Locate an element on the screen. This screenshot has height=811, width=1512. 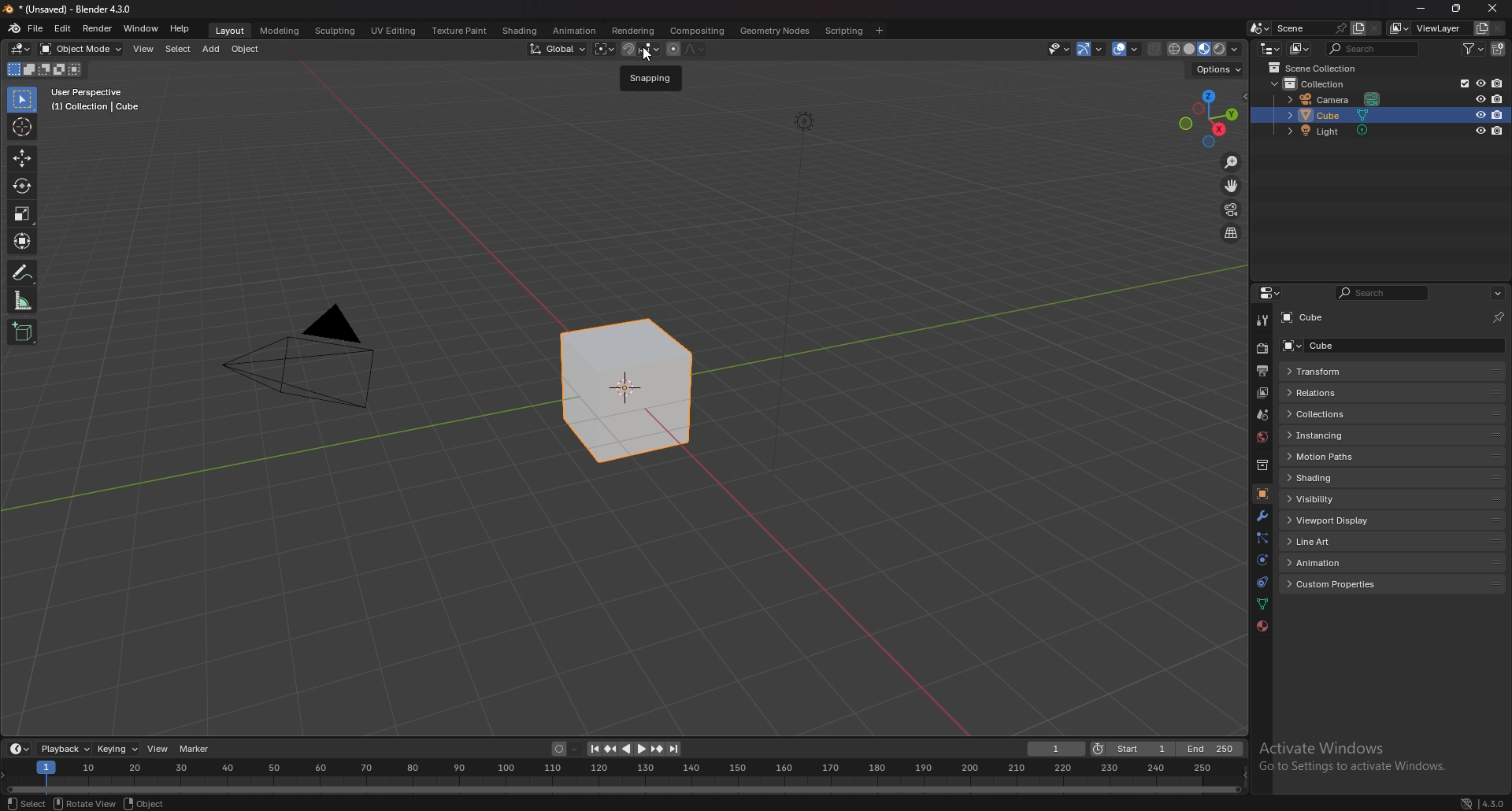
transformation orientation is located at coordinates (558, 50).